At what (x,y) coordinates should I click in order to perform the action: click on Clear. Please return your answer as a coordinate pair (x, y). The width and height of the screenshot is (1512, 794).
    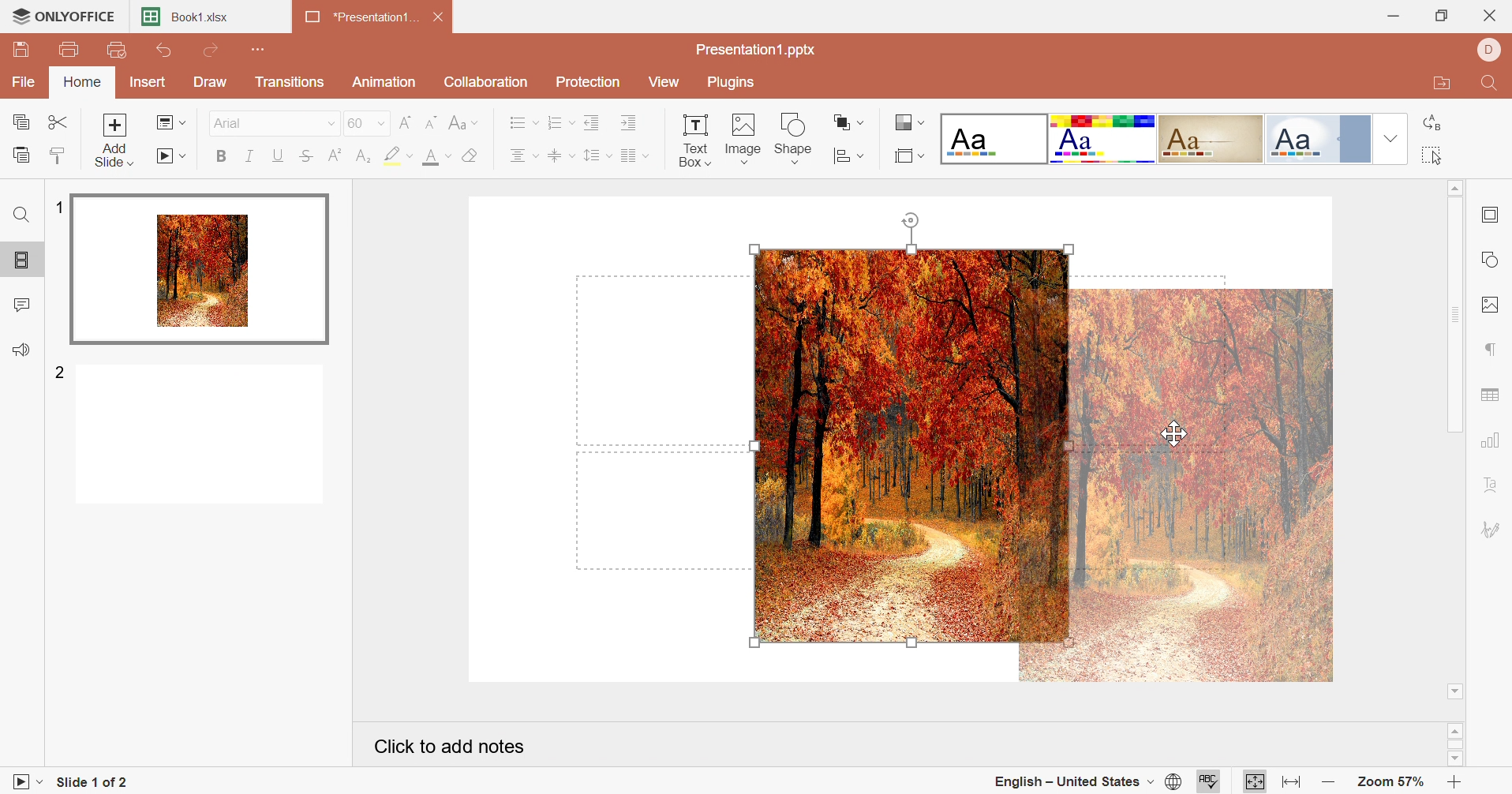
    Looking at the image, I should click on (472, 158).